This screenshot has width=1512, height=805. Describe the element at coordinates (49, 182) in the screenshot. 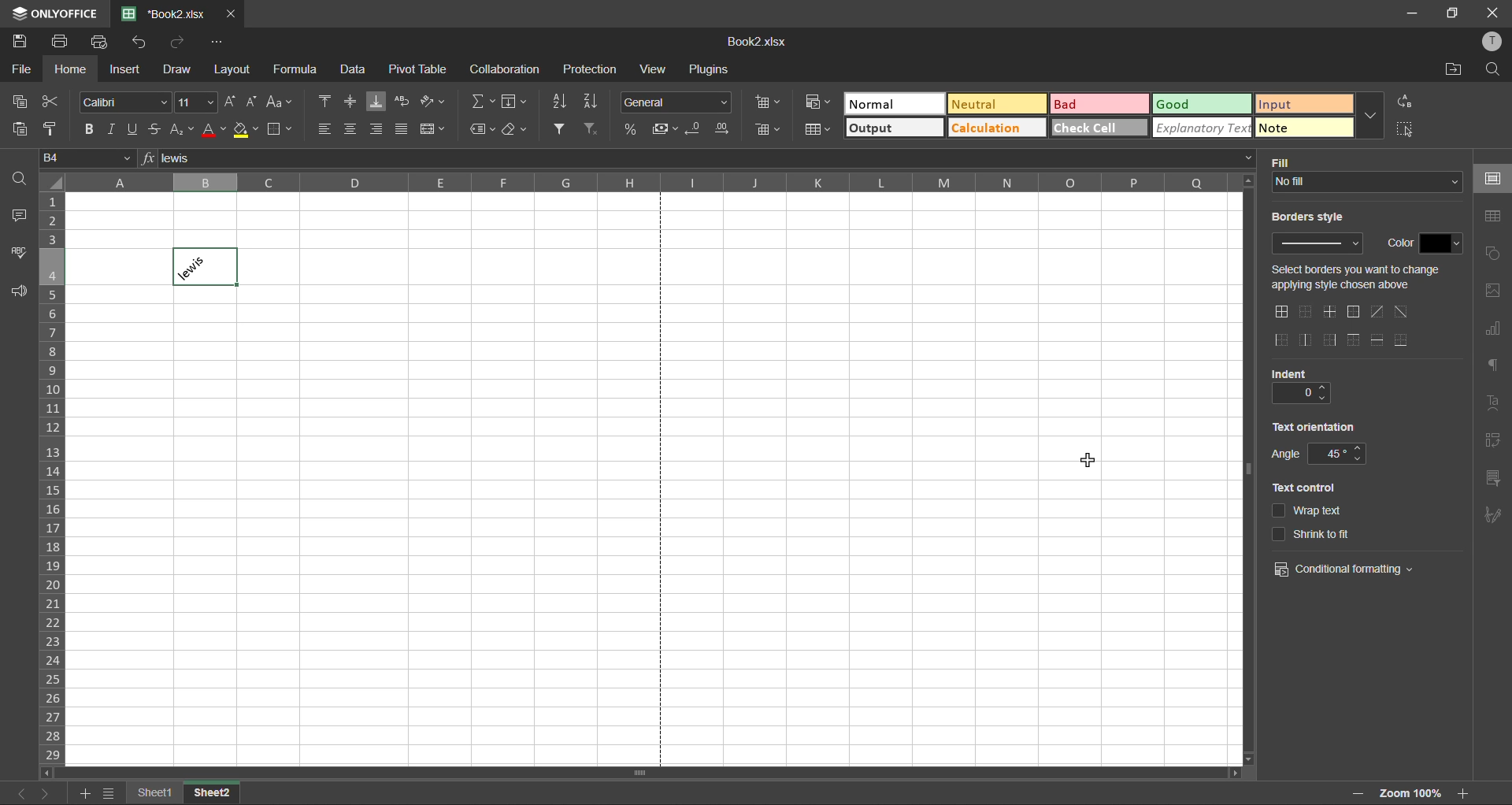

I see `select all cells` at that location.